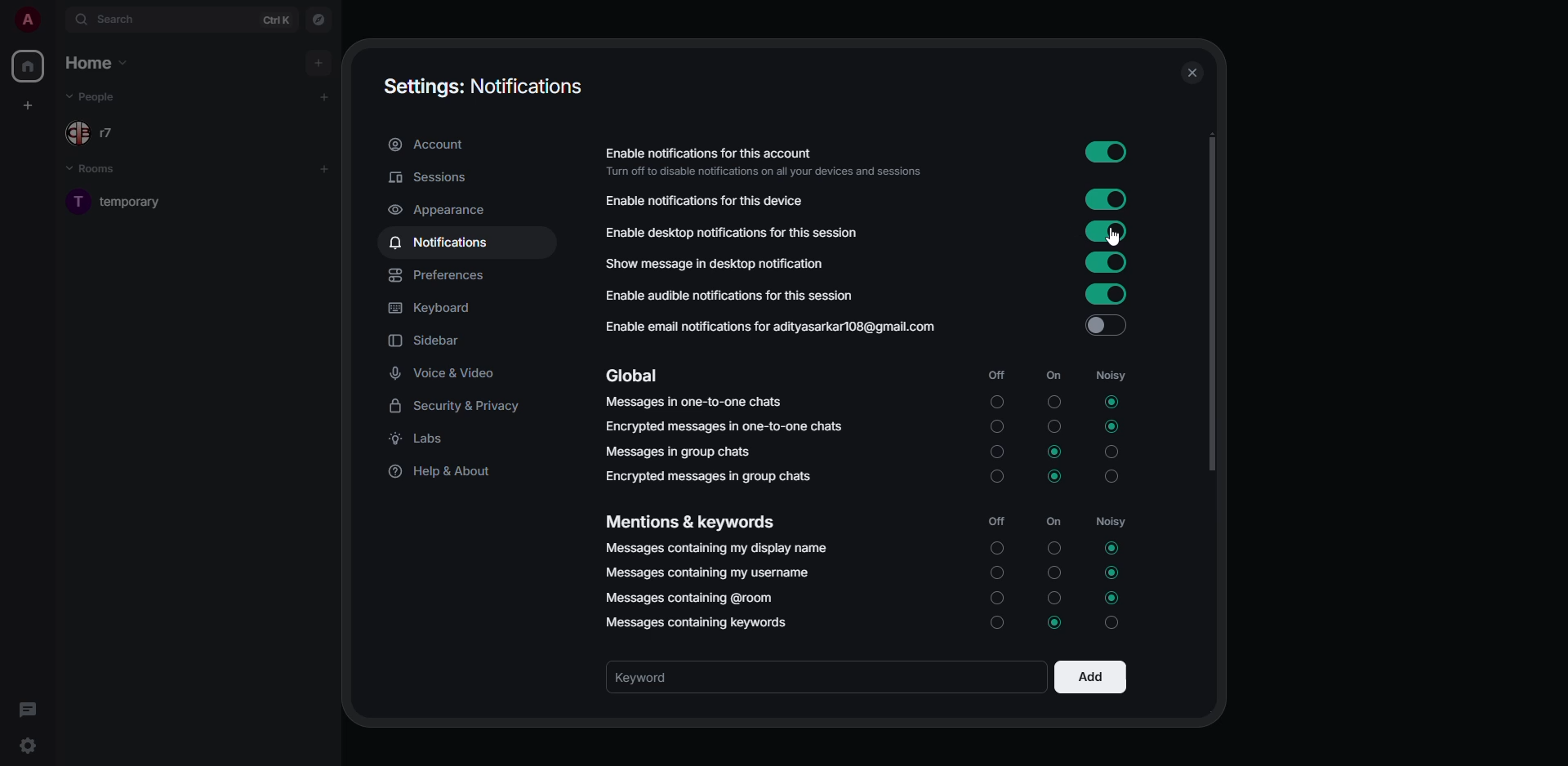  I want to click on messages in group chat, so click(678, 450).